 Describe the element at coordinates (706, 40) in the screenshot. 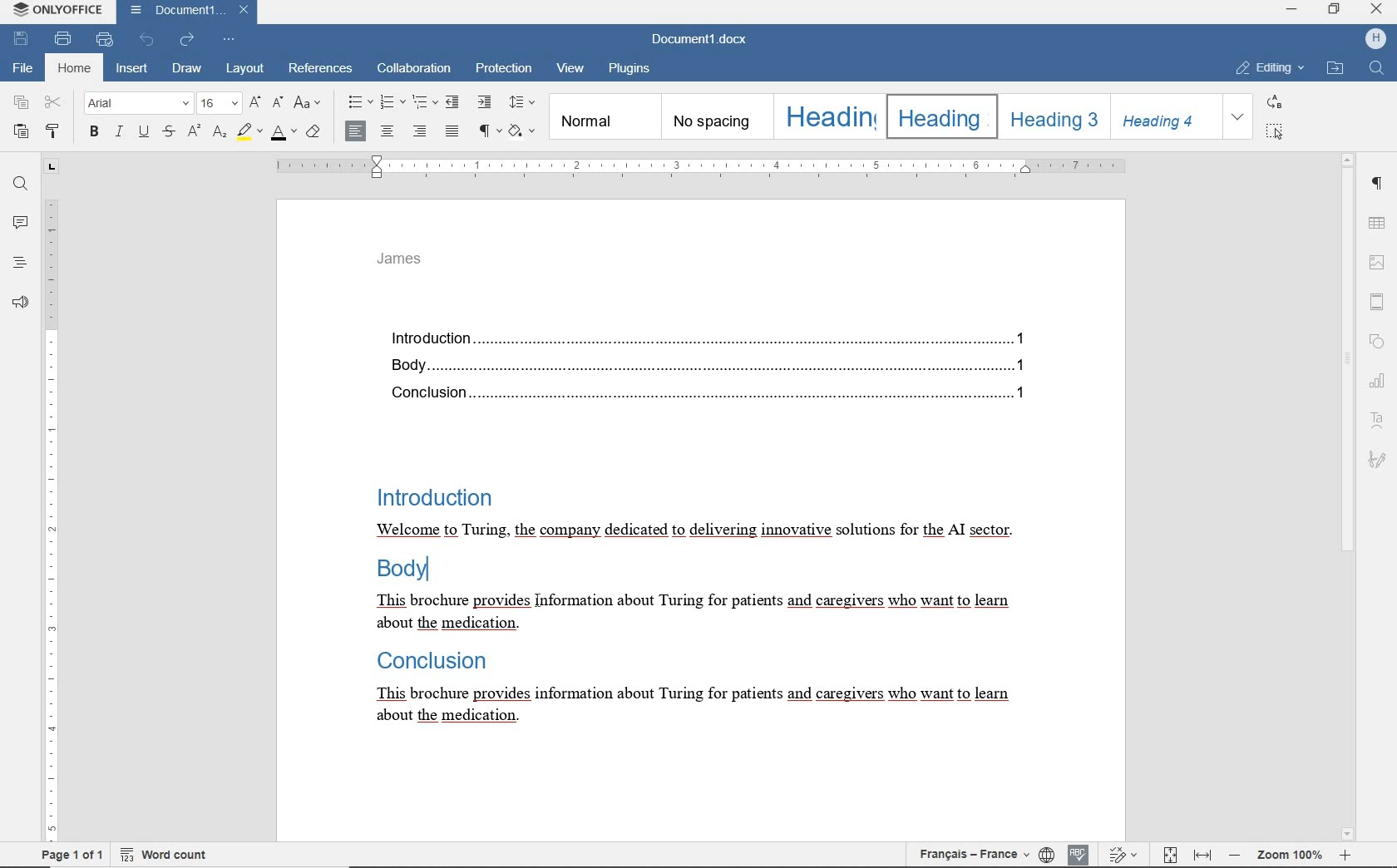

I see `DOCUMENT NAME` at that location.